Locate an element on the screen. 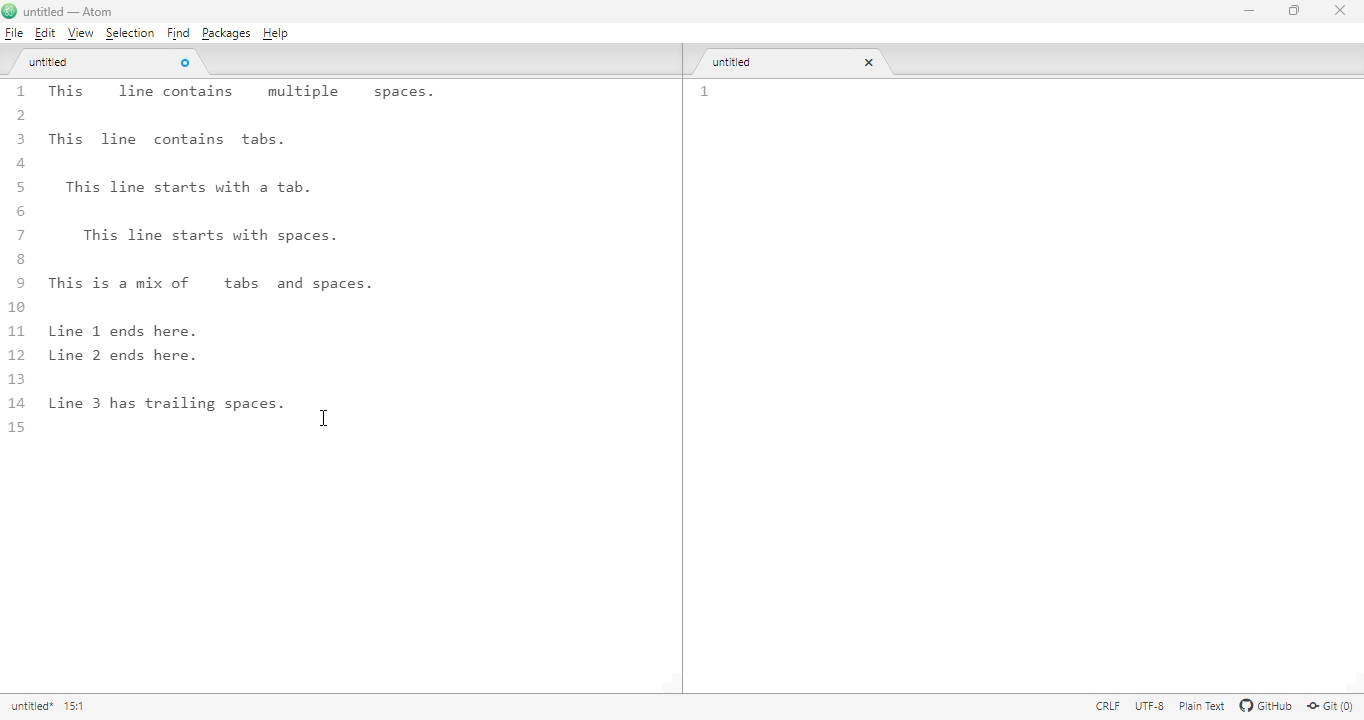 This screenshot has width=1364, height=720. CRLF is located at coordinates (1106, 705).